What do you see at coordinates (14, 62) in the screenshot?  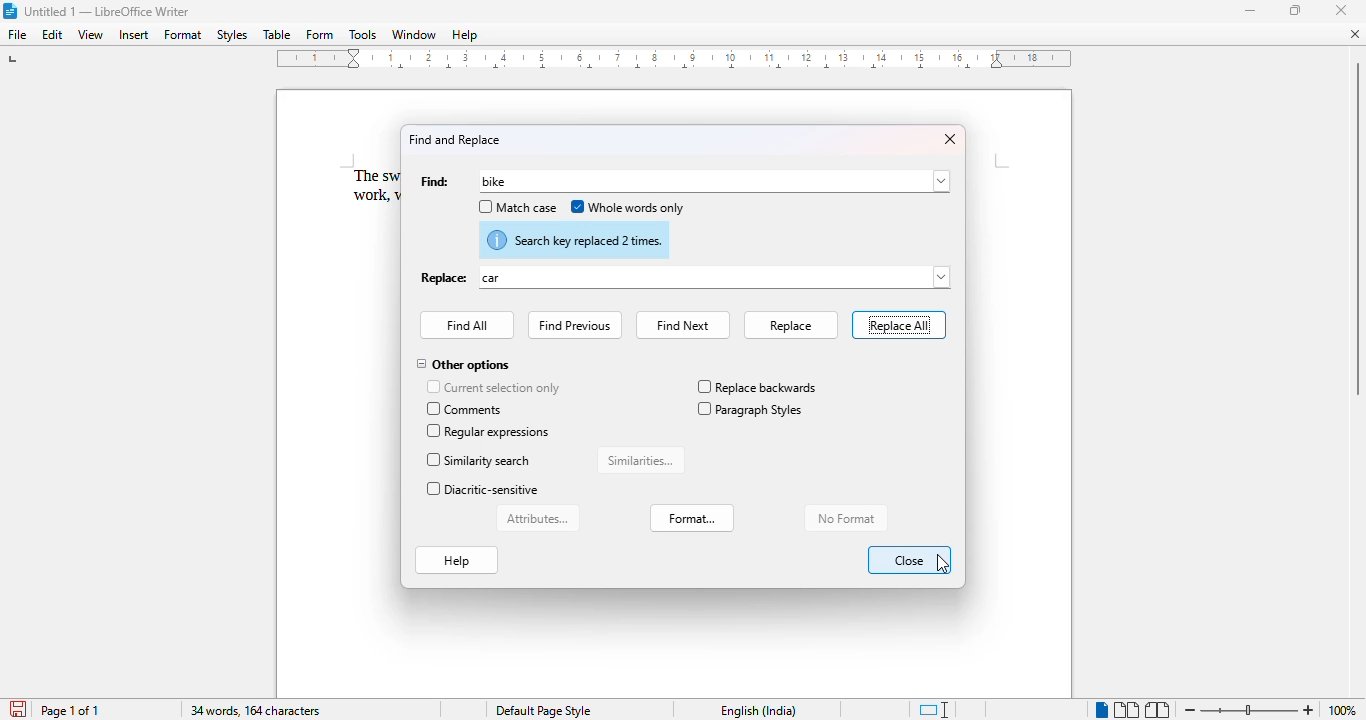 I see `tap stop` at bounding box center [14, 62].